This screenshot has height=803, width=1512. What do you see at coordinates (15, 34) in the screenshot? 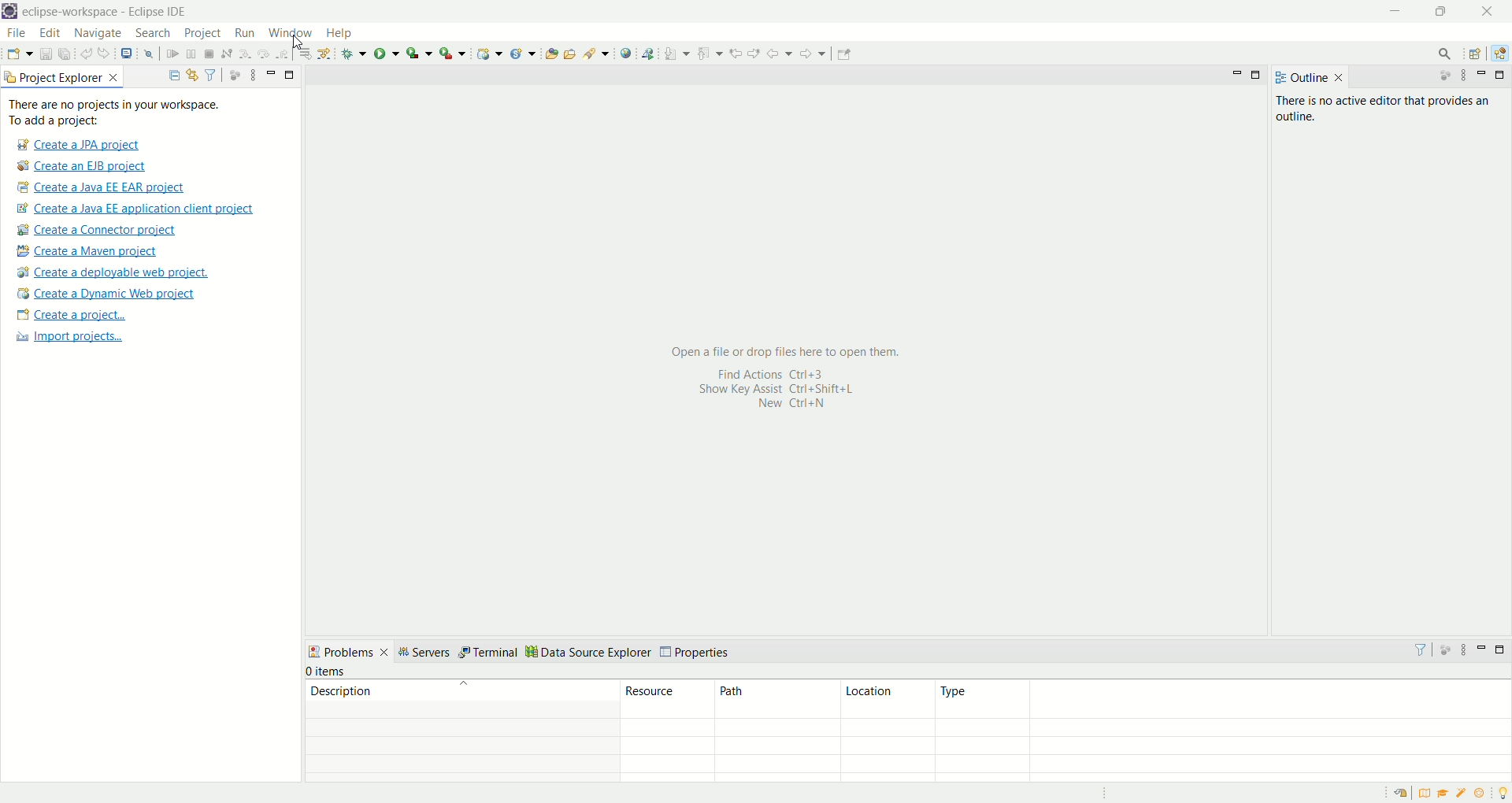
I see `file` at bounding box center [15, 34].